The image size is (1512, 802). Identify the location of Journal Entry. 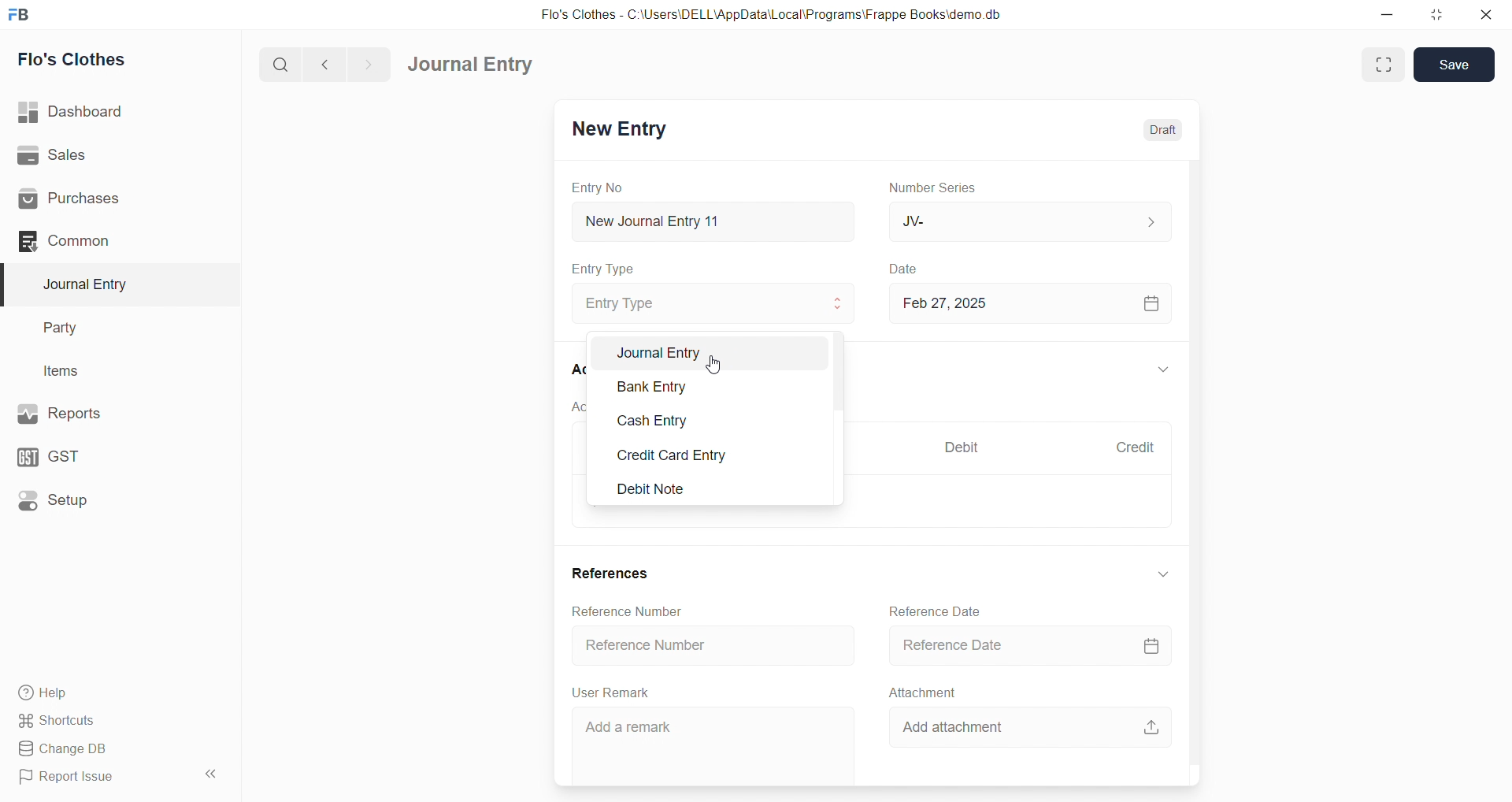
(471, 64).